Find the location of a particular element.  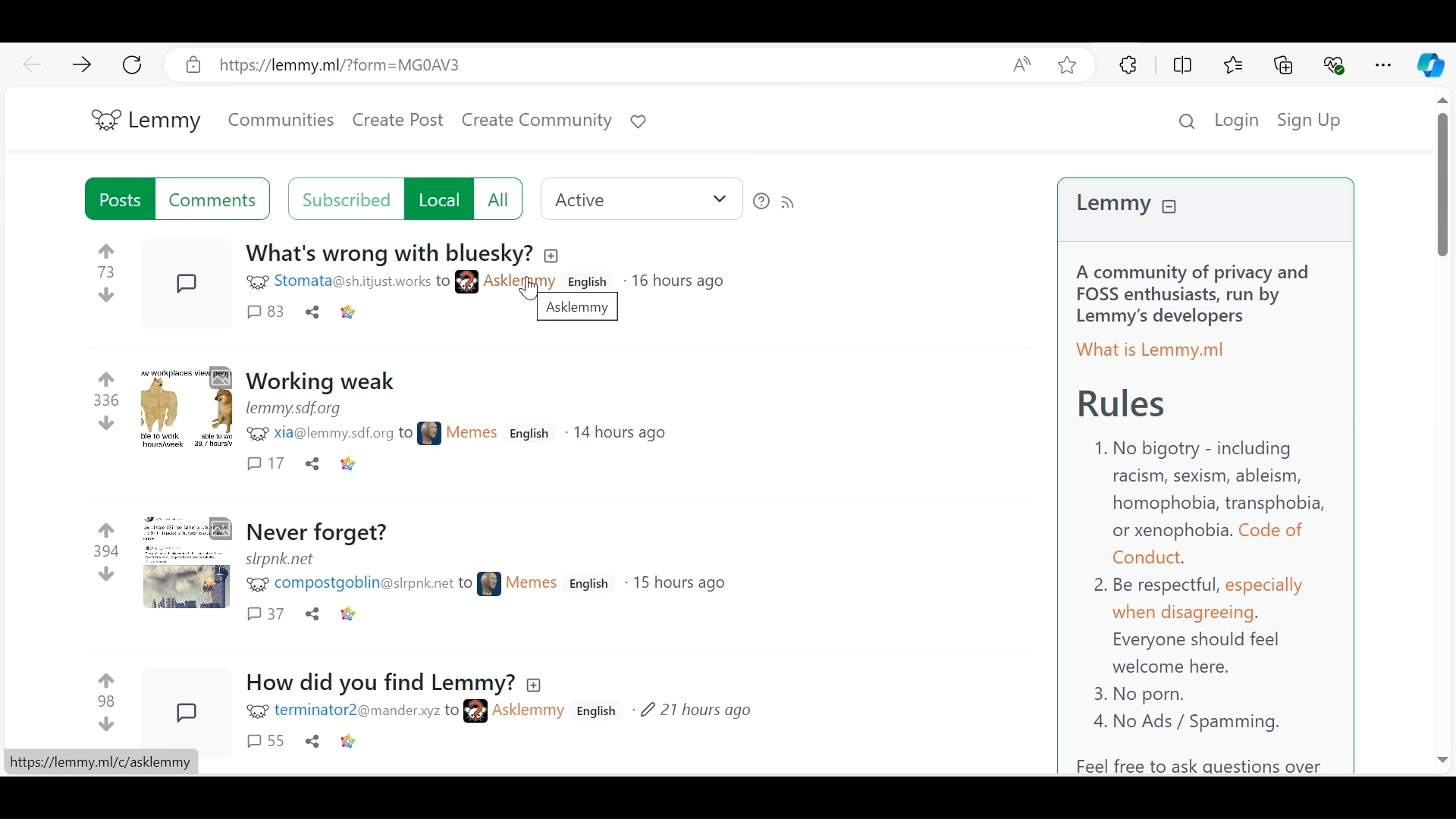

language is located at coordinates (591, 282).